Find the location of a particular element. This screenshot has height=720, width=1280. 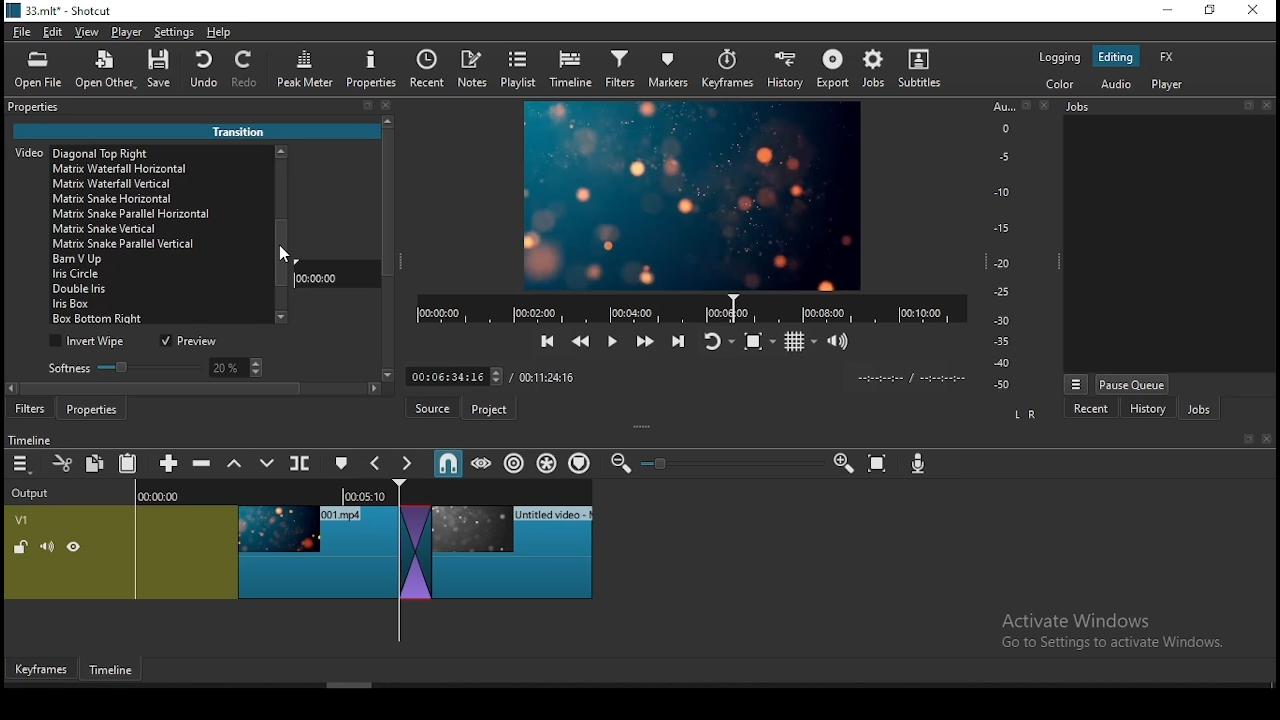

Keyframes is located at coordinates (39, 670).